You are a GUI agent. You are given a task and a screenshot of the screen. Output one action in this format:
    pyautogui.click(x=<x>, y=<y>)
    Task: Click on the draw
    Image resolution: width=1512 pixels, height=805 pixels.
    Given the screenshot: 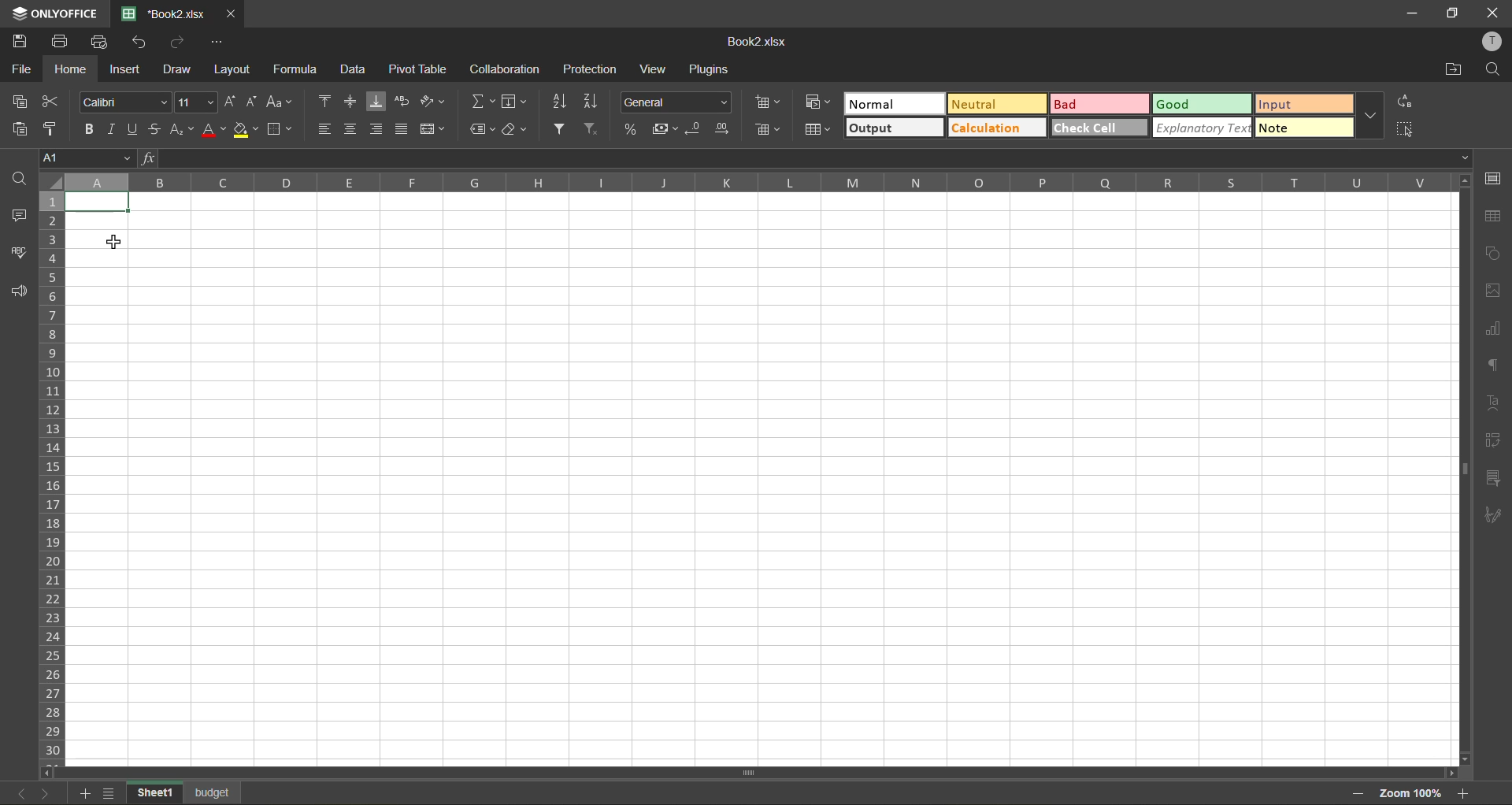 What is the action you would take?
    pyautogui.click(x=180, y=68)
    